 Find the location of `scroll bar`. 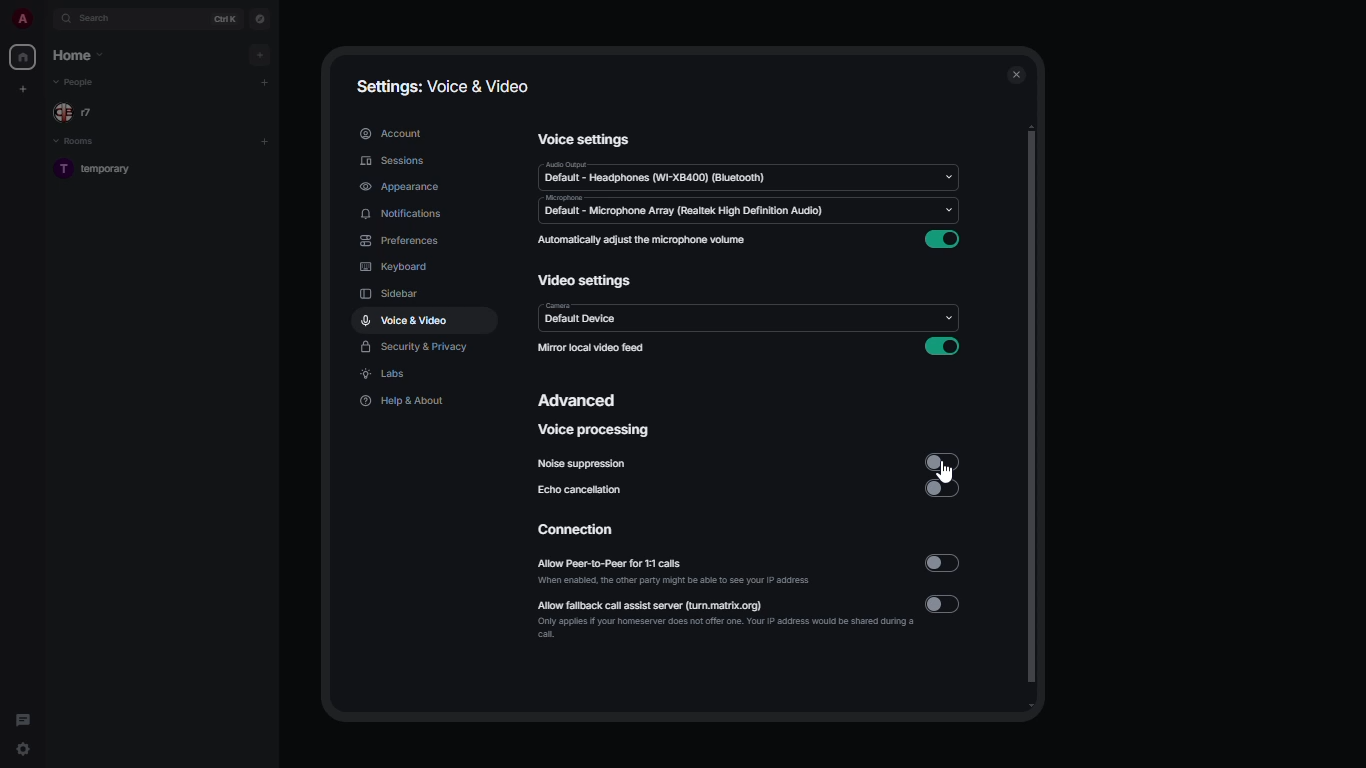

scroll bar is located at coordinates (1034, 415).